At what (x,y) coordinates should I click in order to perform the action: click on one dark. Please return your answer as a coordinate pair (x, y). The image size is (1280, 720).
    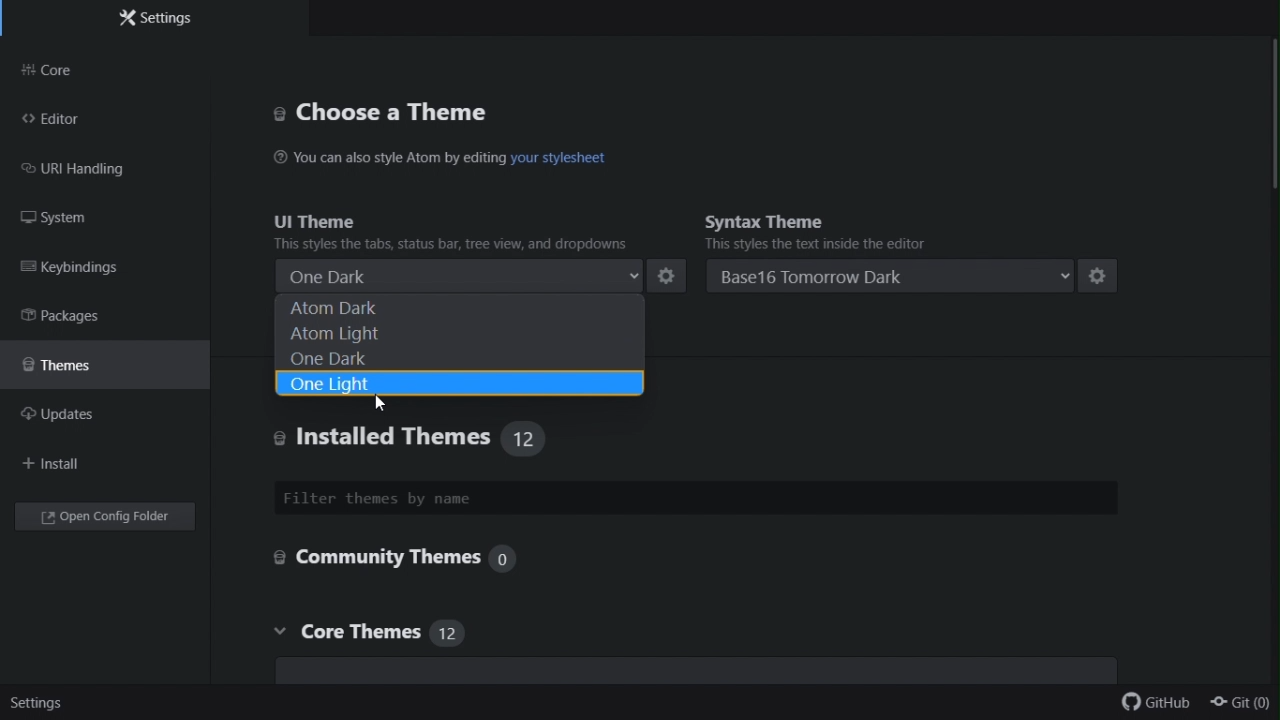
    Looking at the image, I should click on (458, 356).